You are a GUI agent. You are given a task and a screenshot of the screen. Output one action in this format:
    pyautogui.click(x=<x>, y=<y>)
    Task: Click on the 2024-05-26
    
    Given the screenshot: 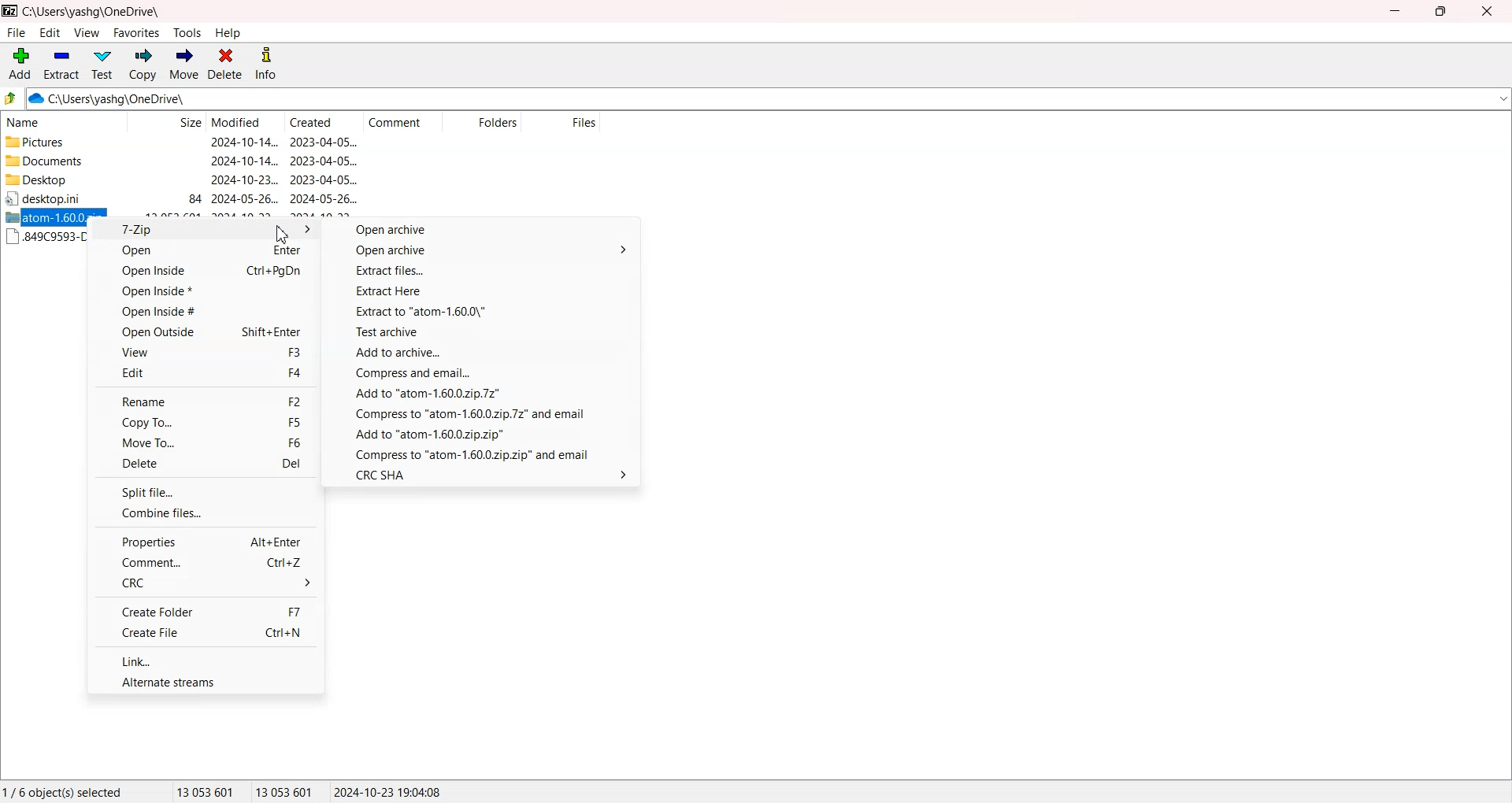 What is the action you would take?
    pyautogui.click(x=245, y=199)
    